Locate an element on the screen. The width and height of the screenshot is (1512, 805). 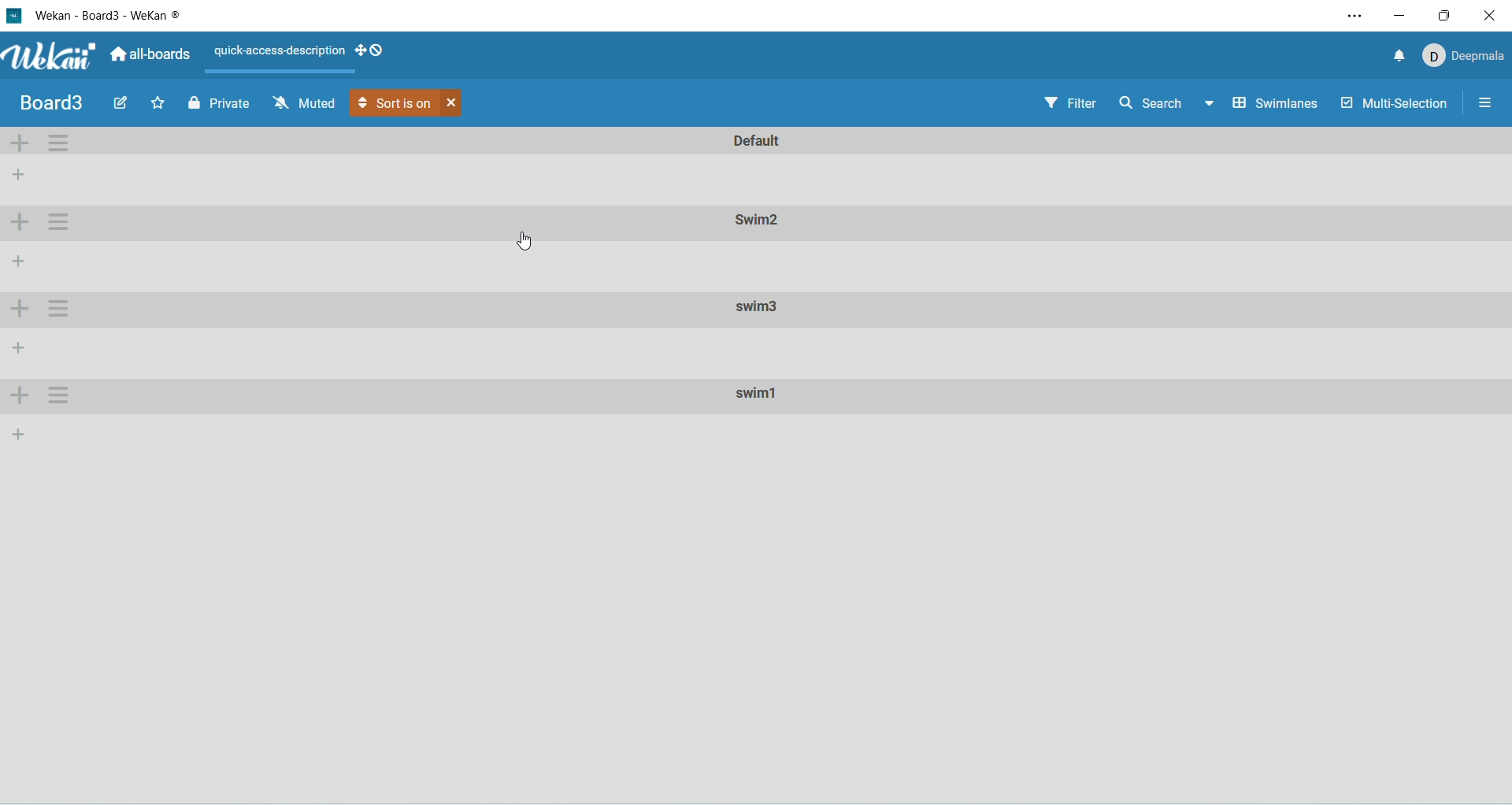
show-desktop-drag-handles is located at coordinates (374, 50).